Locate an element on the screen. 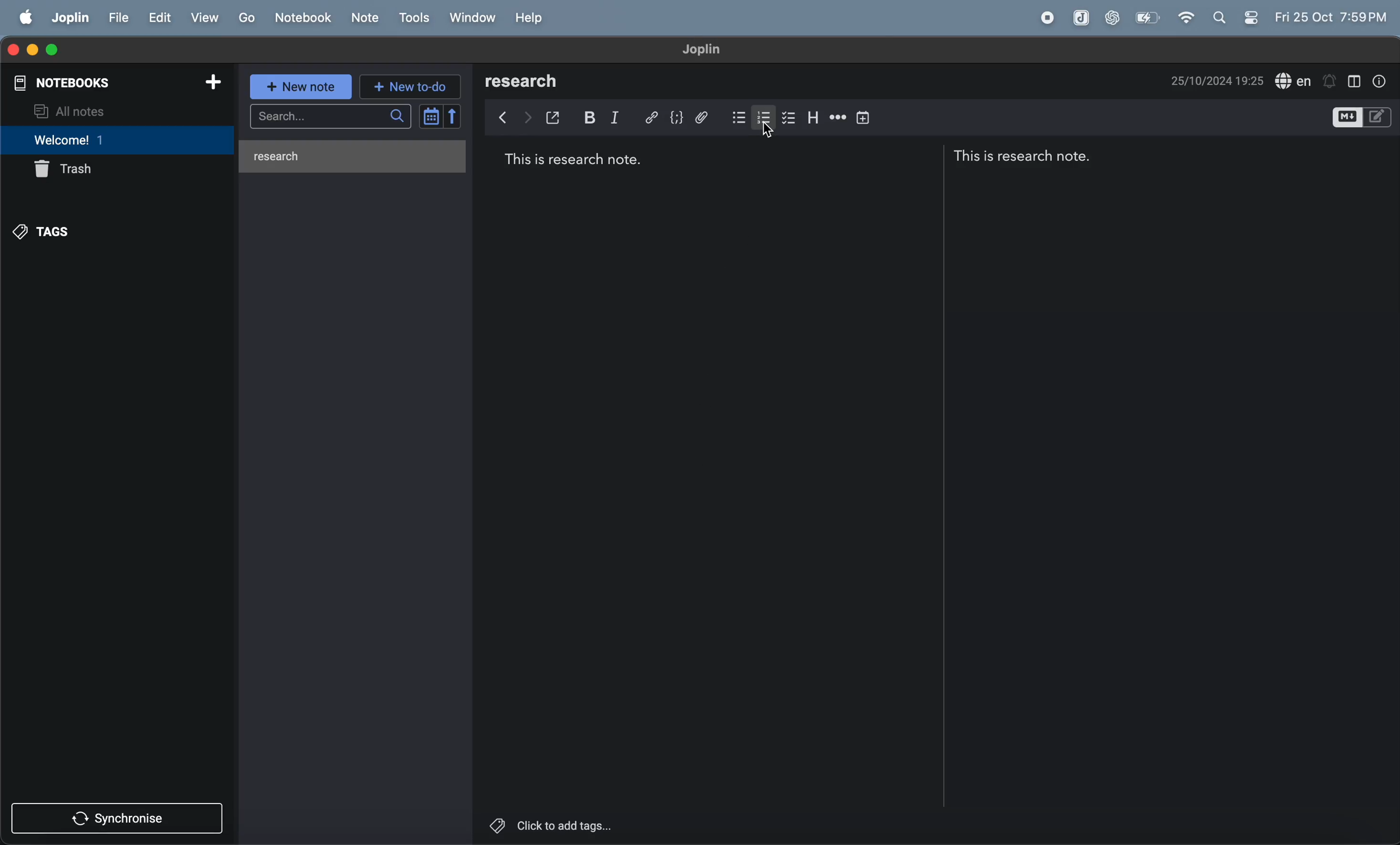 This screenshot has height=845, width=1400. edit is located at coordinates (158, 17).